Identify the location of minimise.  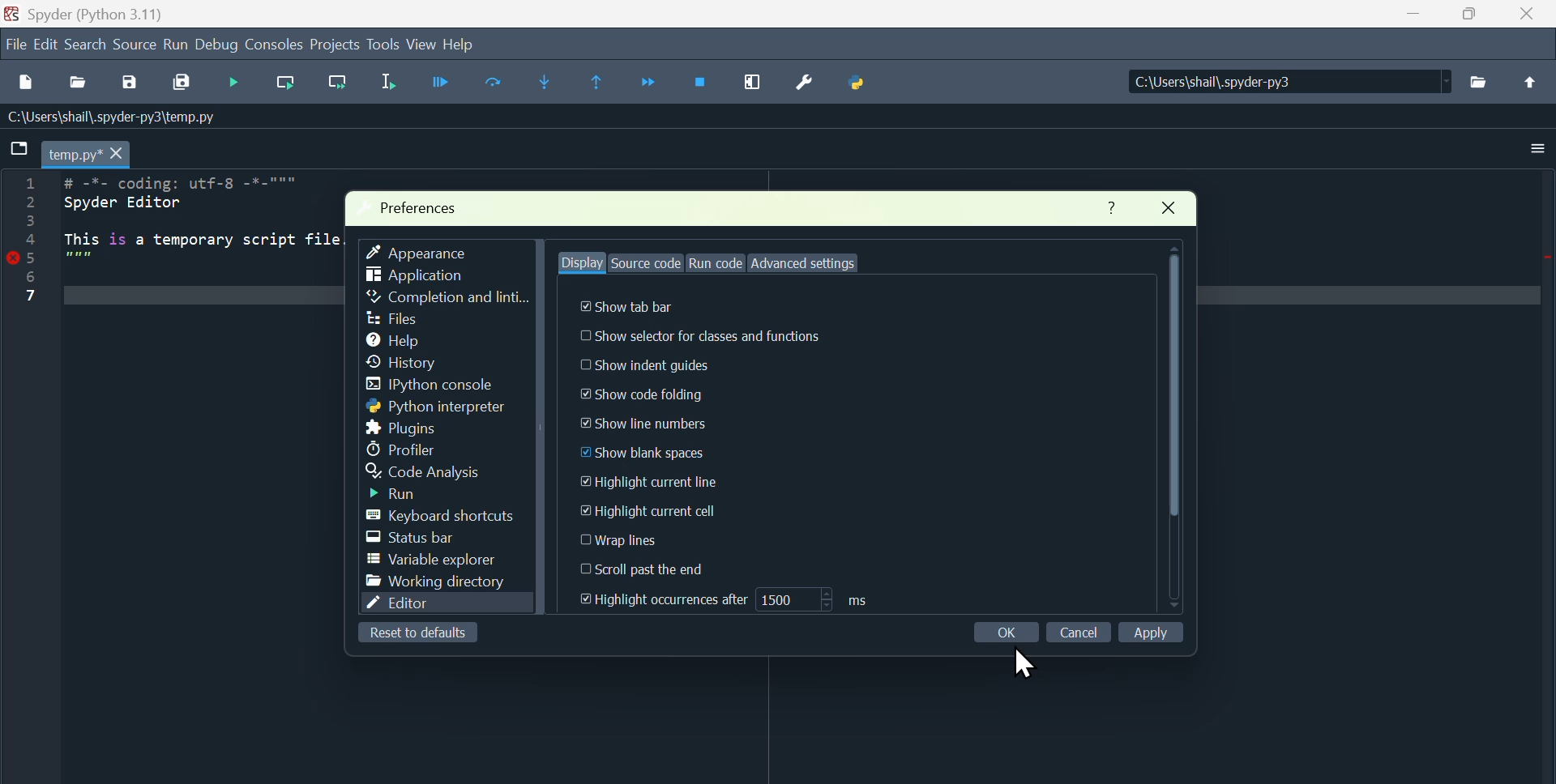
(1400, 21).